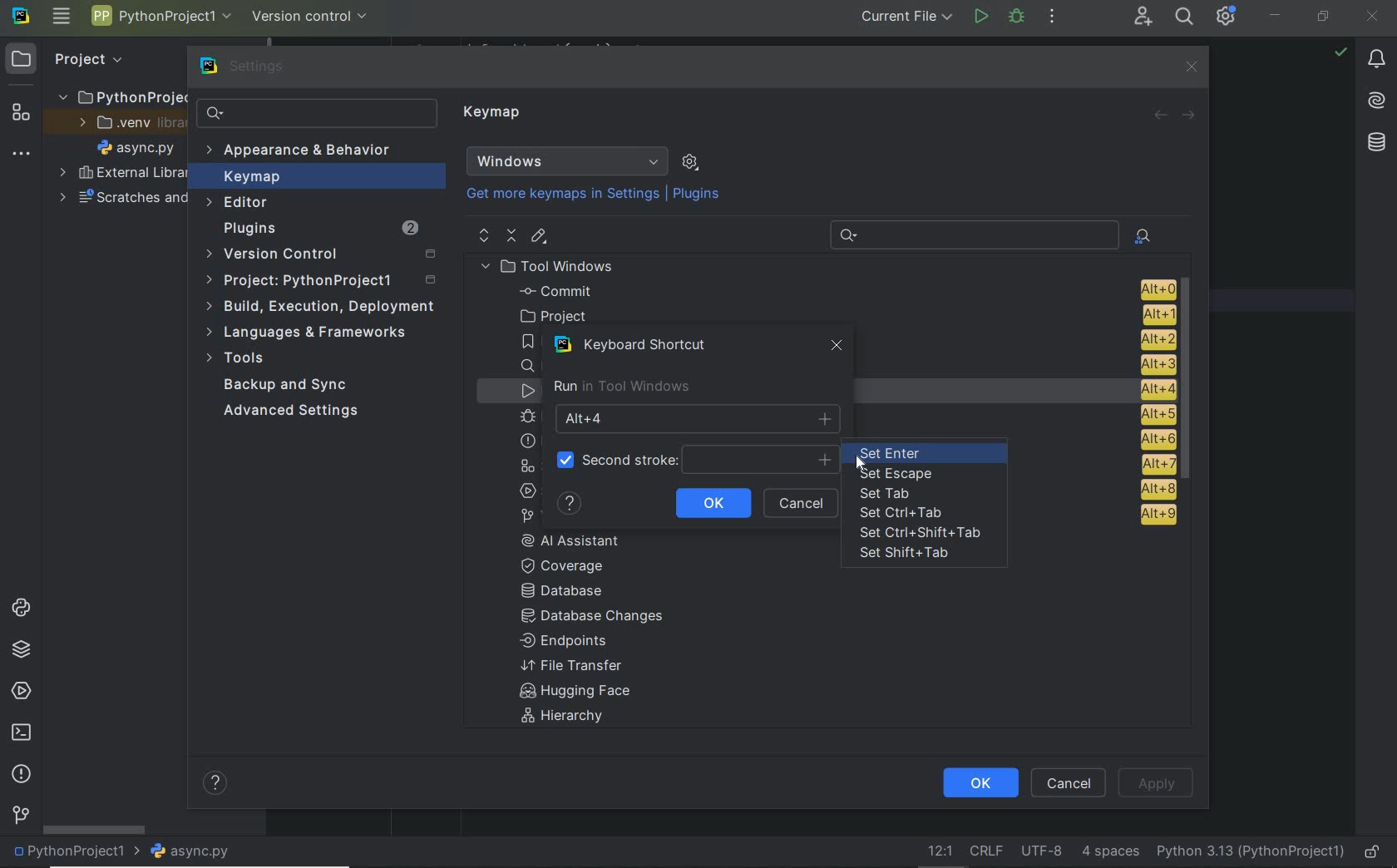 This screenshot has height=868, width=1397. I want to click on More tool windows, so click(22, 150).